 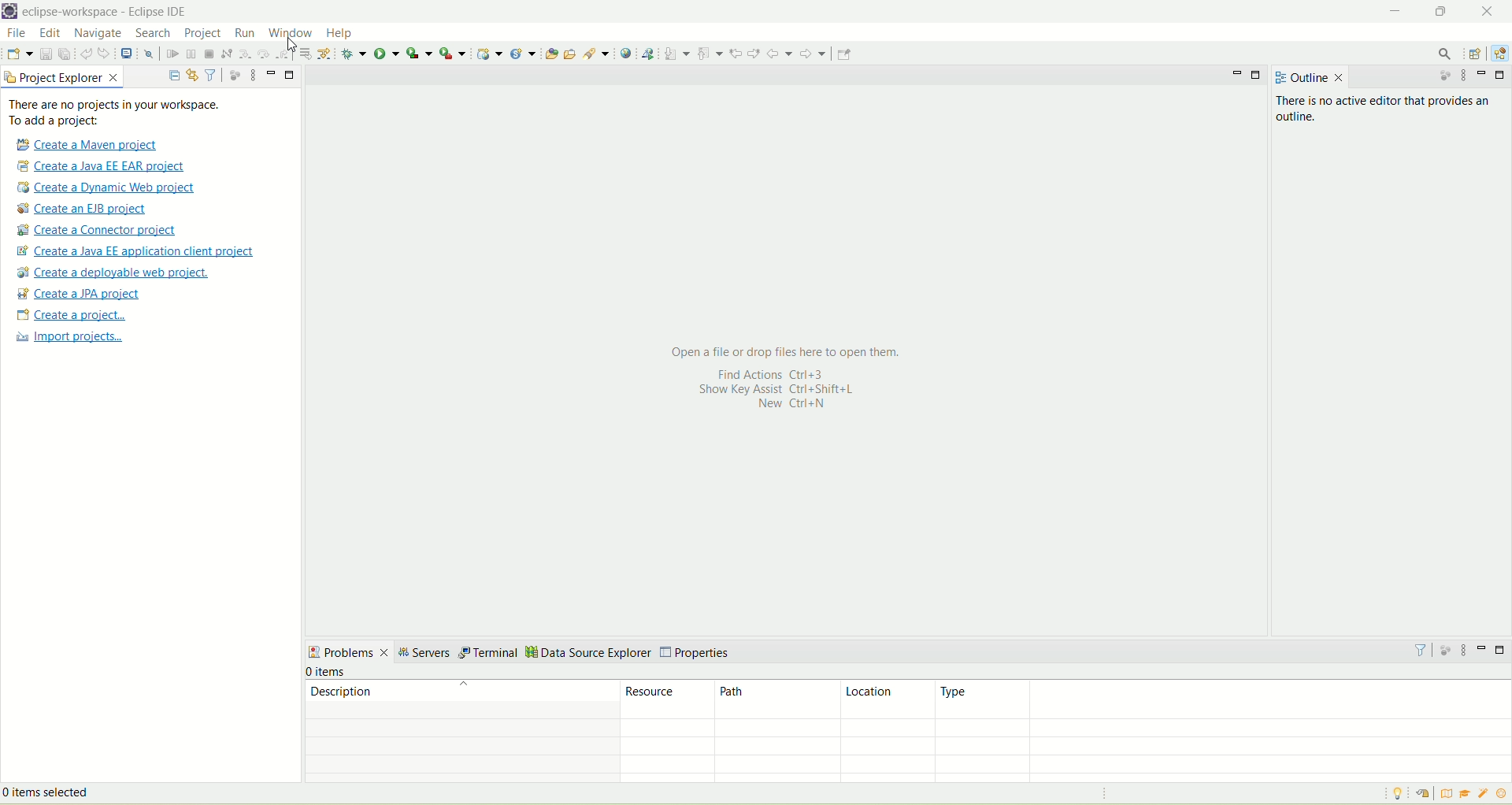 What do you see at coordinates (253, 74) in the screenshot?
I see `view menu` at bounding box center [253, 74].